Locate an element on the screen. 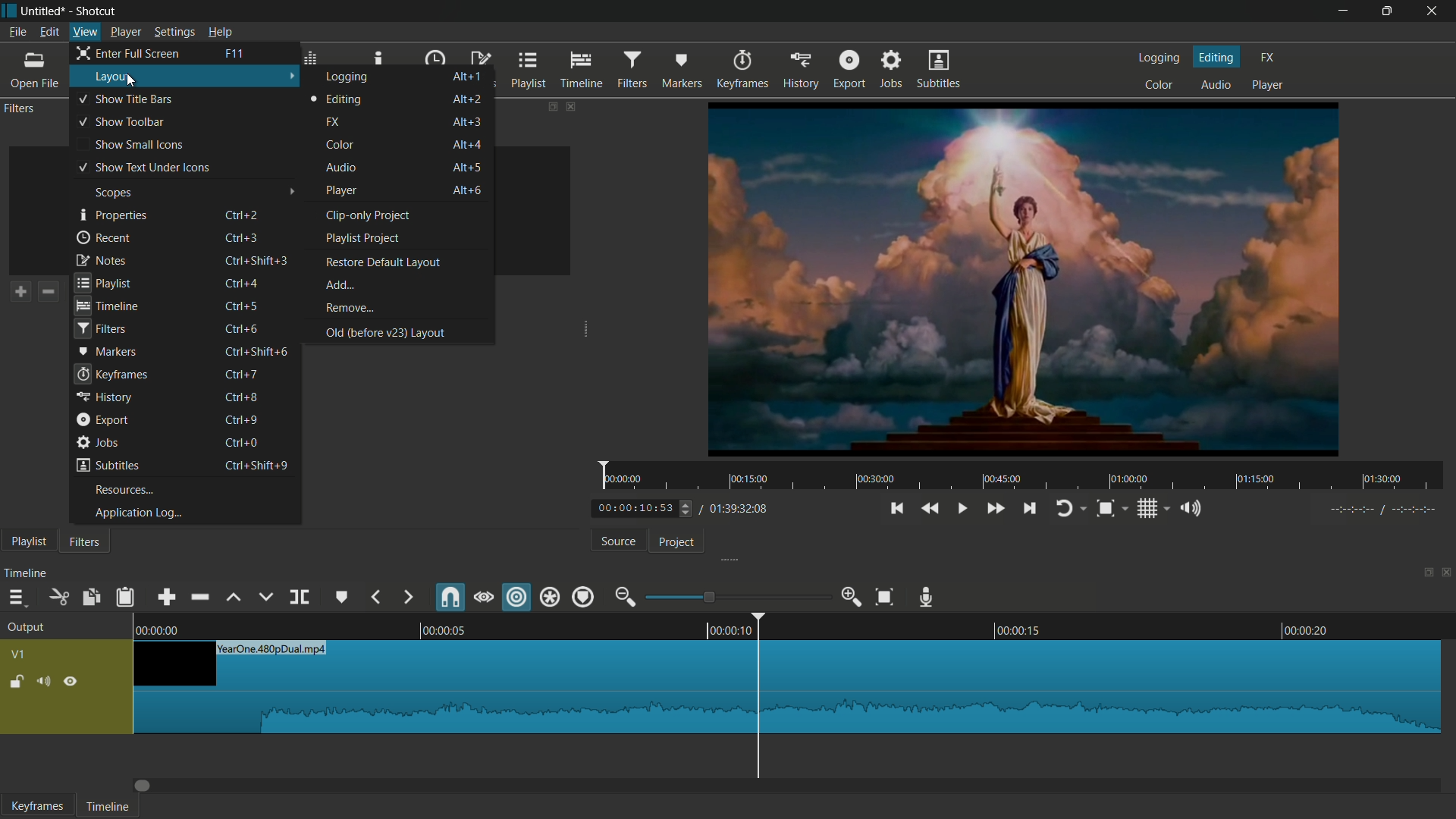  show volume control is located at coordinates (1193, 510).